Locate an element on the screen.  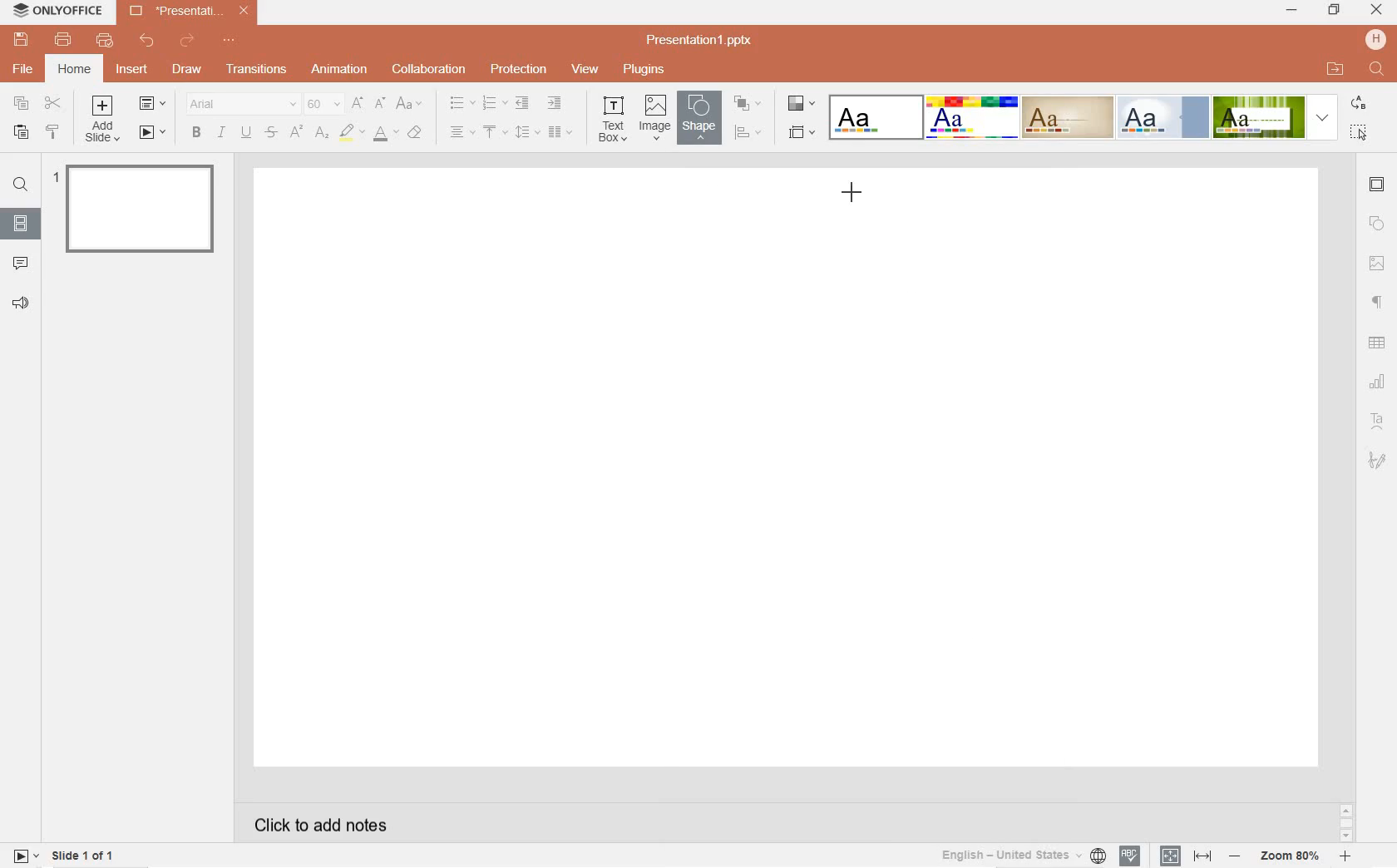
Blank is located at coordinates (876, 116).